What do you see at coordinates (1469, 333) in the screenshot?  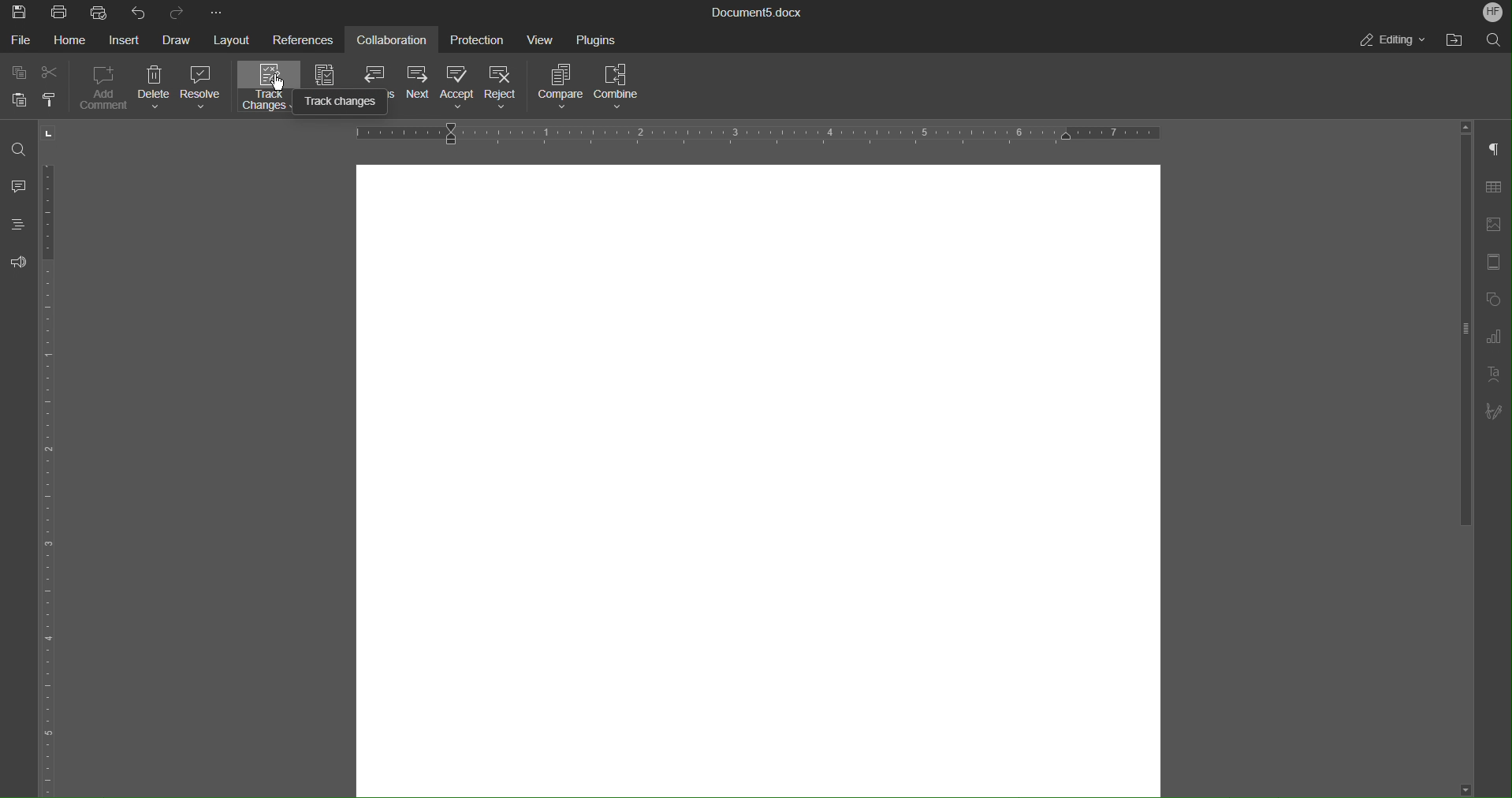 I see `vertical scroll bar` at bounding box center [1469, 333].